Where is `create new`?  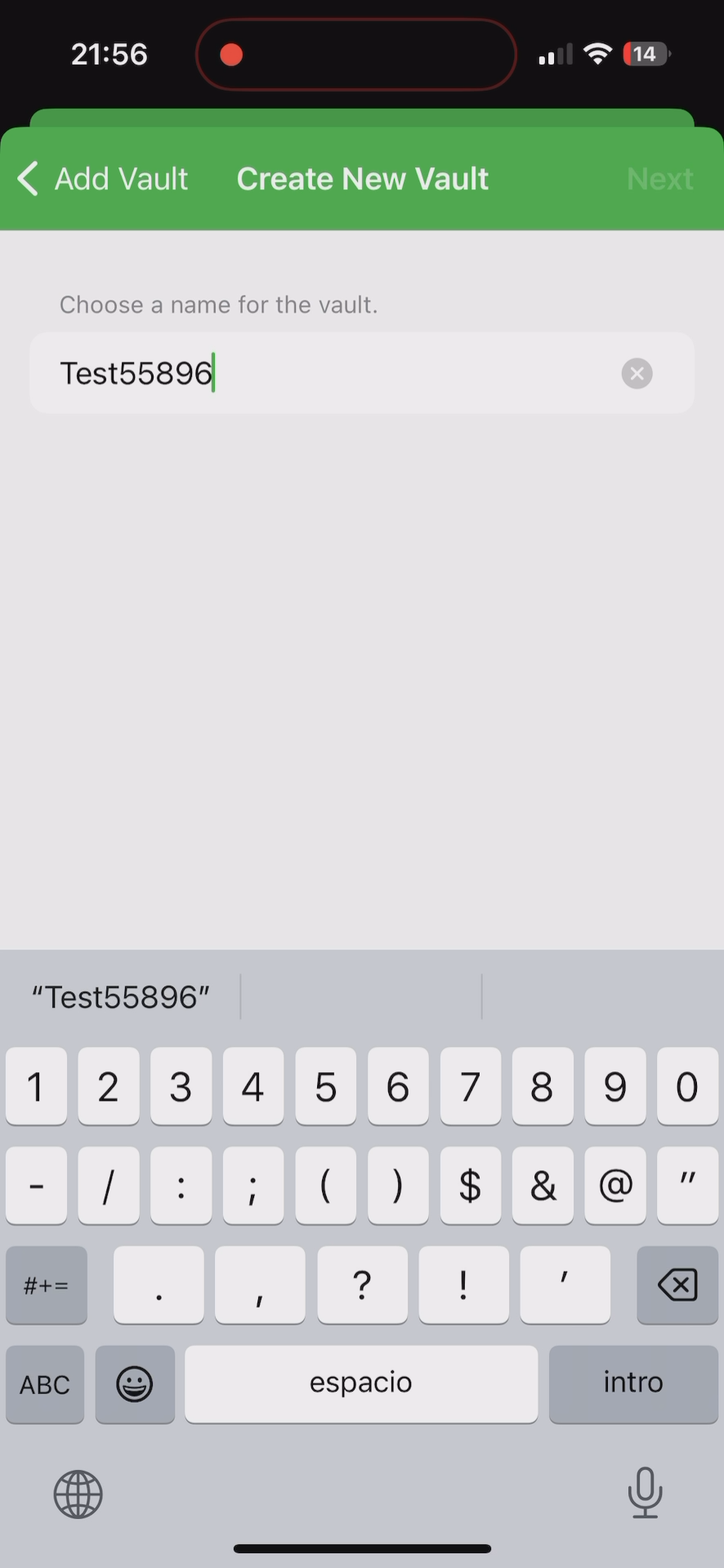
create new is located at coordinates (362, 180).